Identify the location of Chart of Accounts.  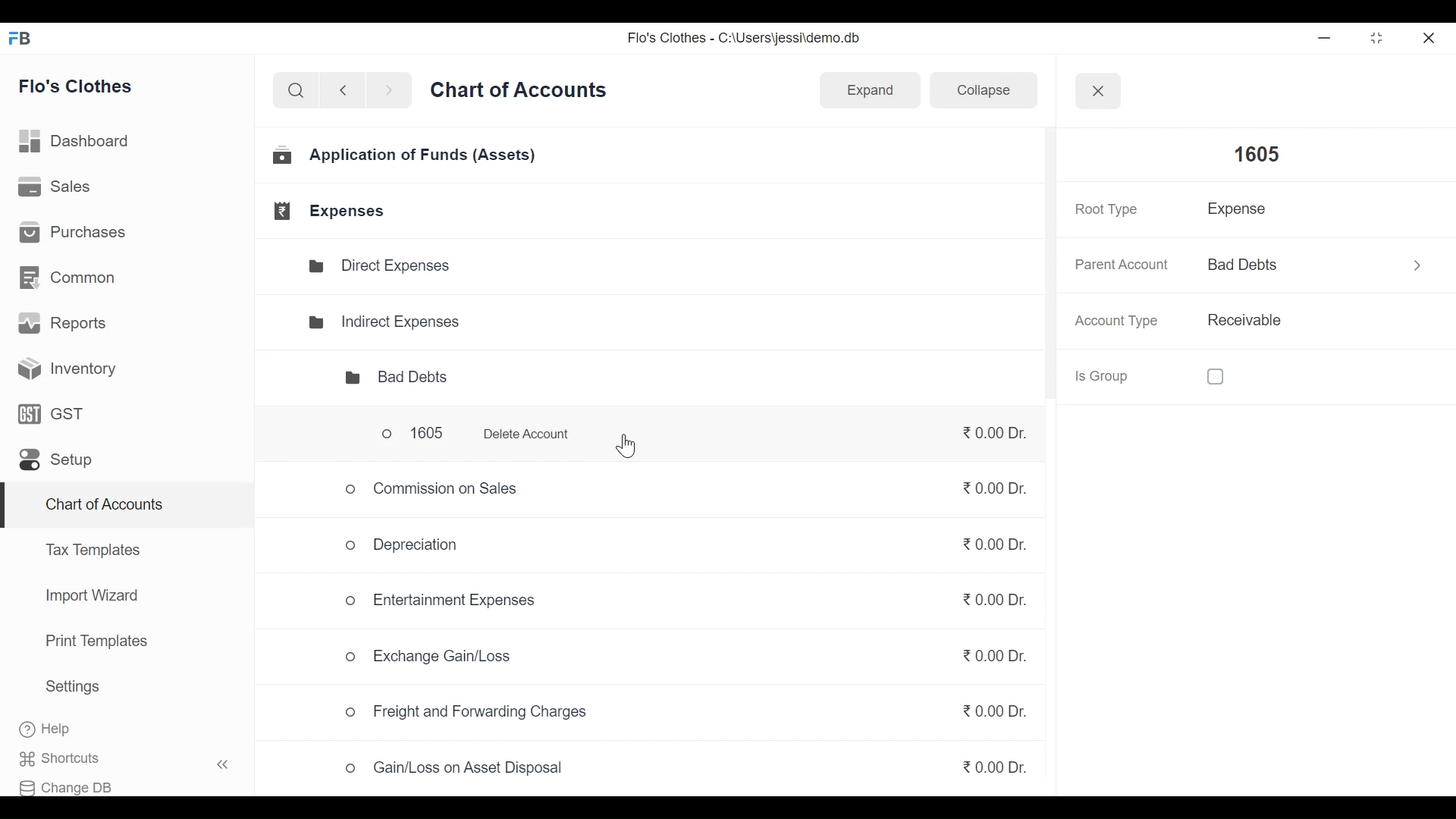
(101, 507).